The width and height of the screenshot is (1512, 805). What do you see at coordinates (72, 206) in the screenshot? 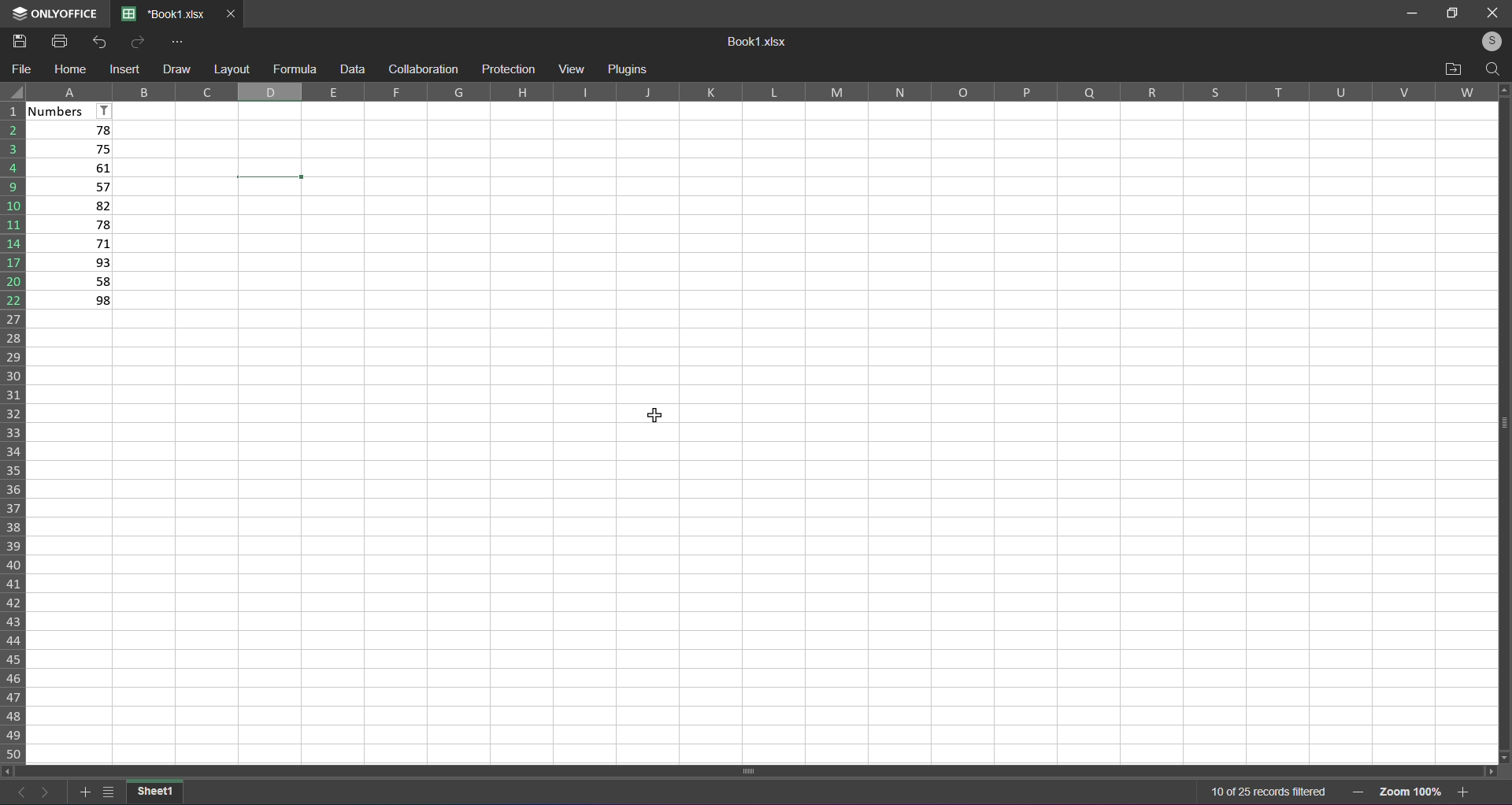
I see `82` at bounding box center [72, 206].